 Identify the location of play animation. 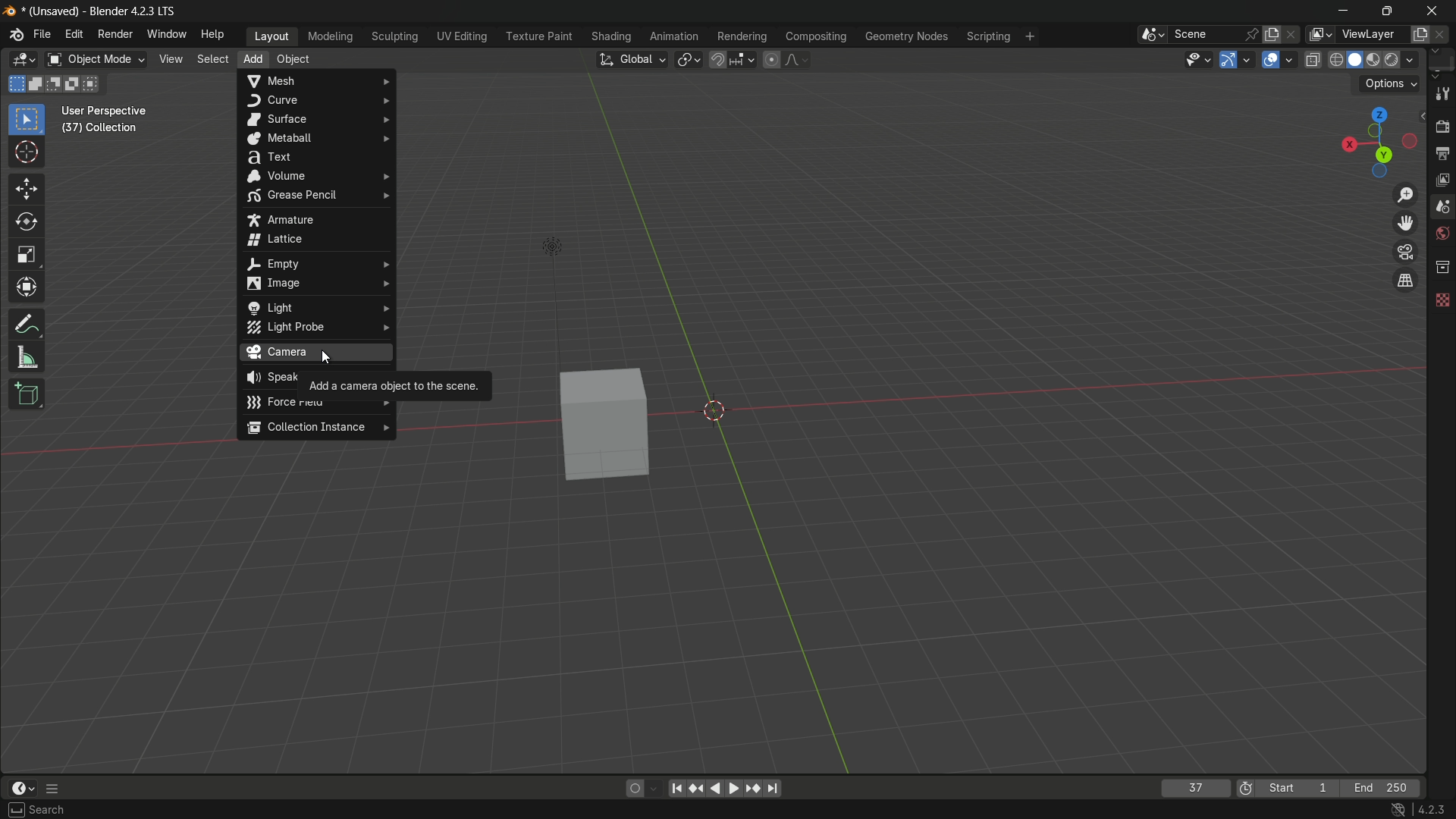
(707, 788).